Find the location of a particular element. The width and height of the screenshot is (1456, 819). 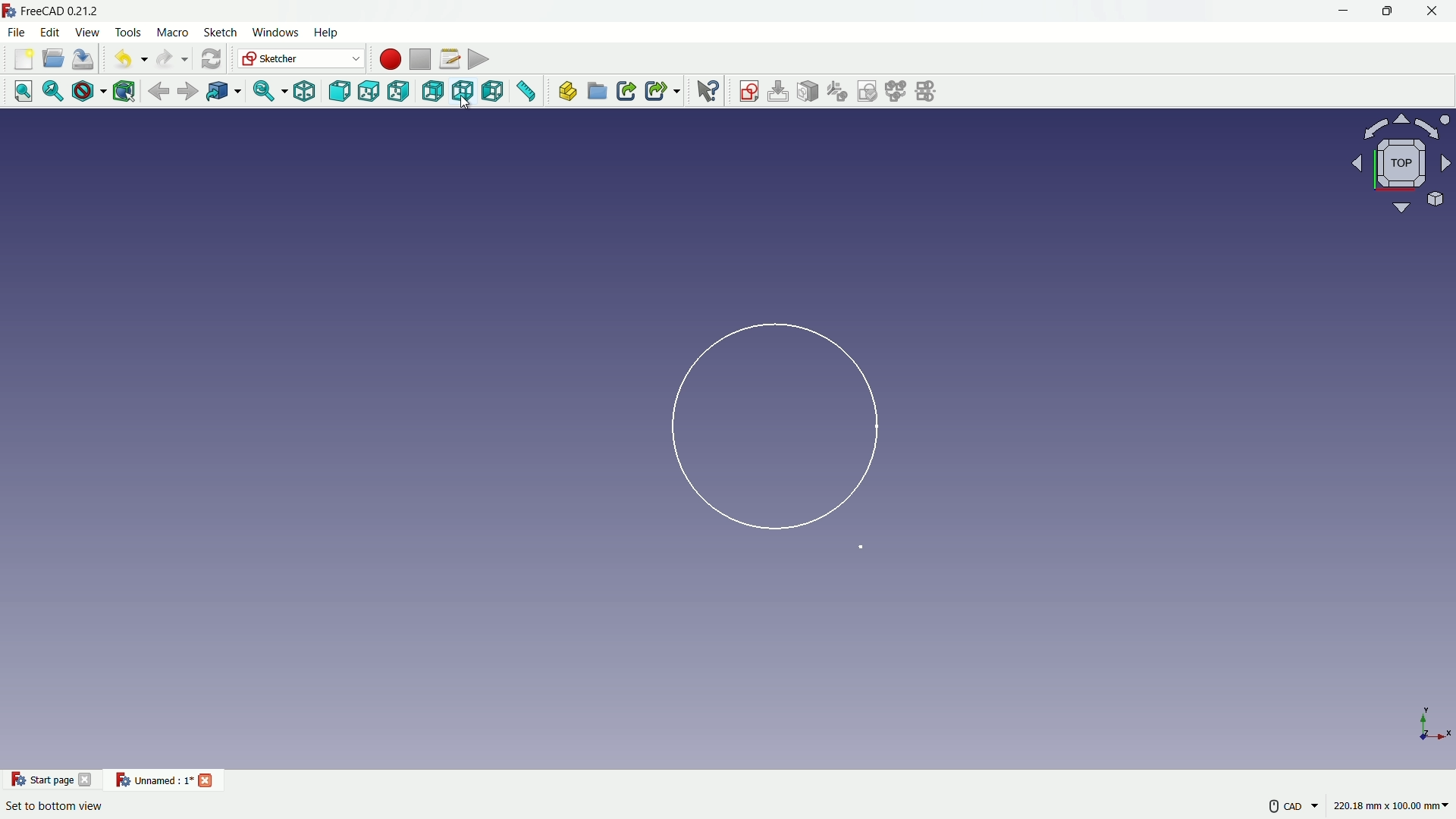

minimize is located at coordinates (1343, 12).